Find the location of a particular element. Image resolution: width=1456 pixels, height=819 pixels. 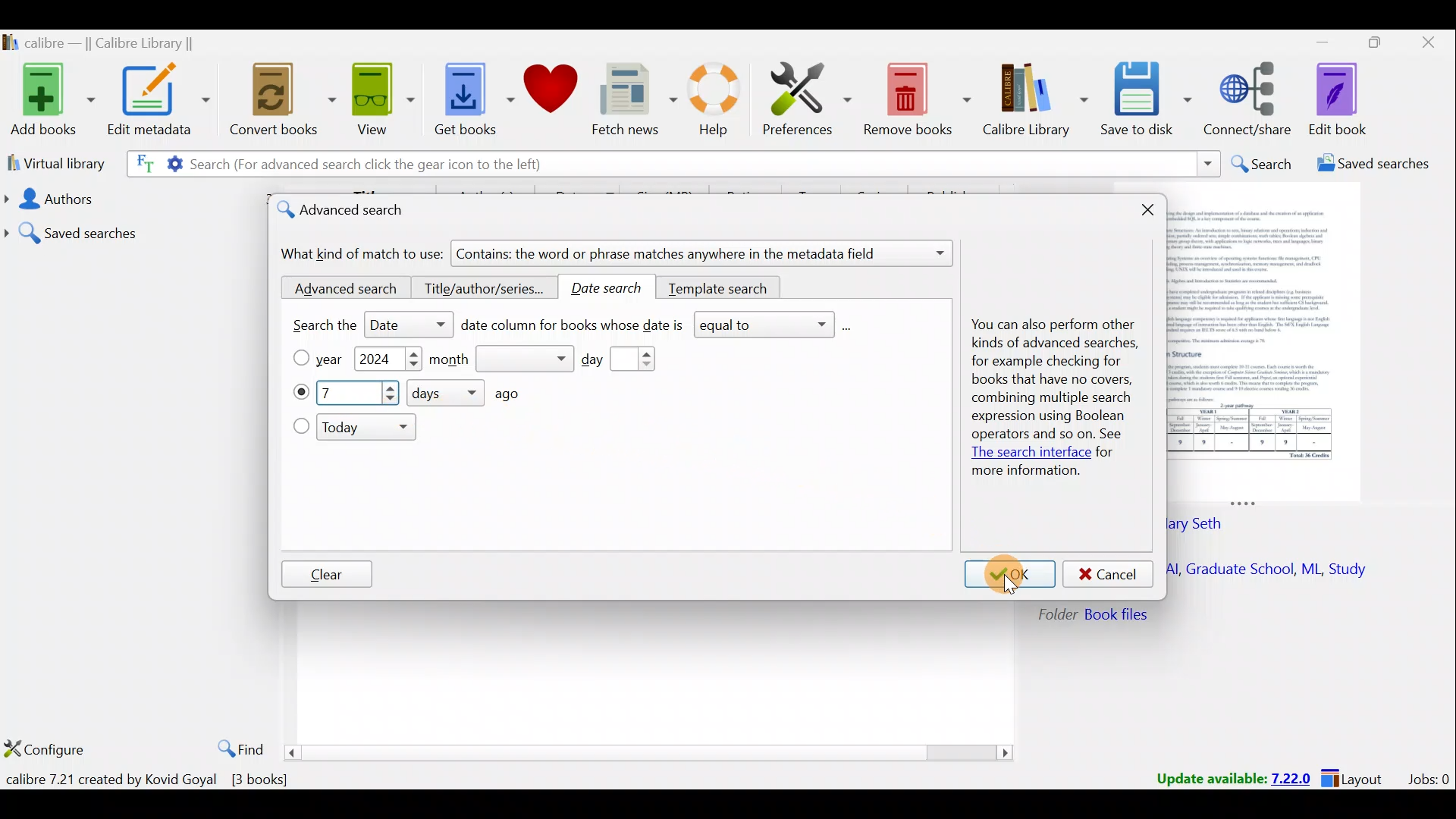

Search the date is located at coordinates (359, 327).